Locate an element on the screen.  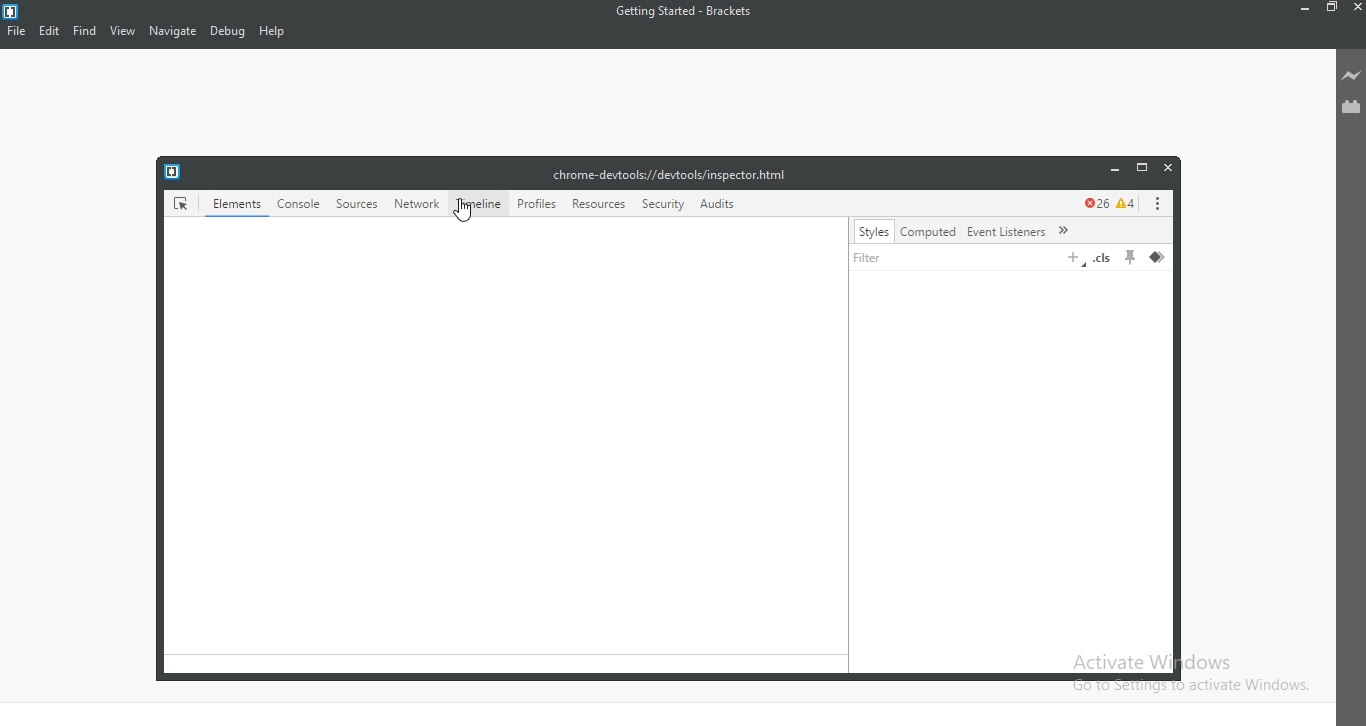
resources is located at coordinates (598, 203).